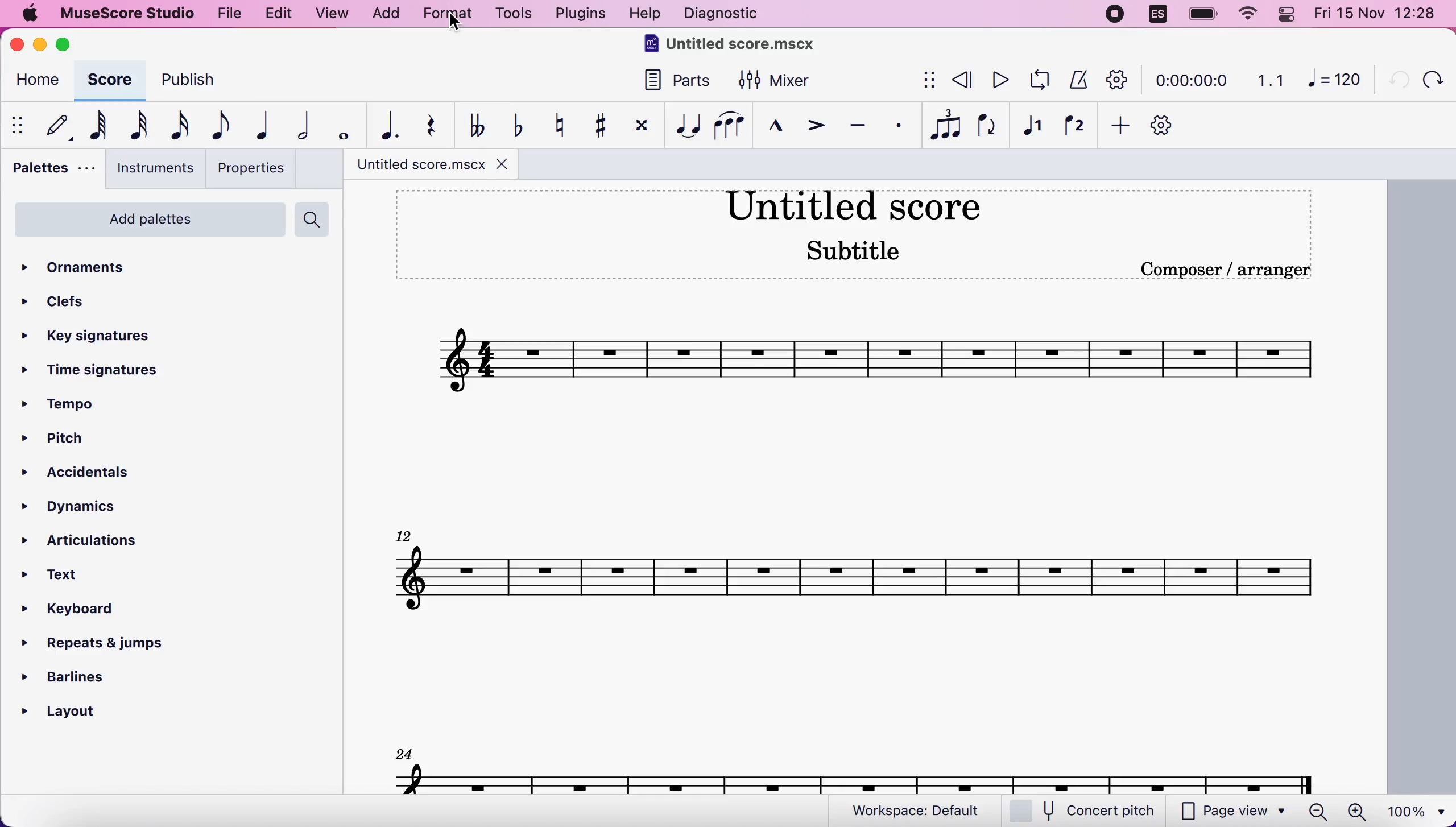 This screenshot has height=827, width=1456. What do you see at coordinates (1413, 810) in the screenshot?
I see `100%` at bounding box center [1413, 810].